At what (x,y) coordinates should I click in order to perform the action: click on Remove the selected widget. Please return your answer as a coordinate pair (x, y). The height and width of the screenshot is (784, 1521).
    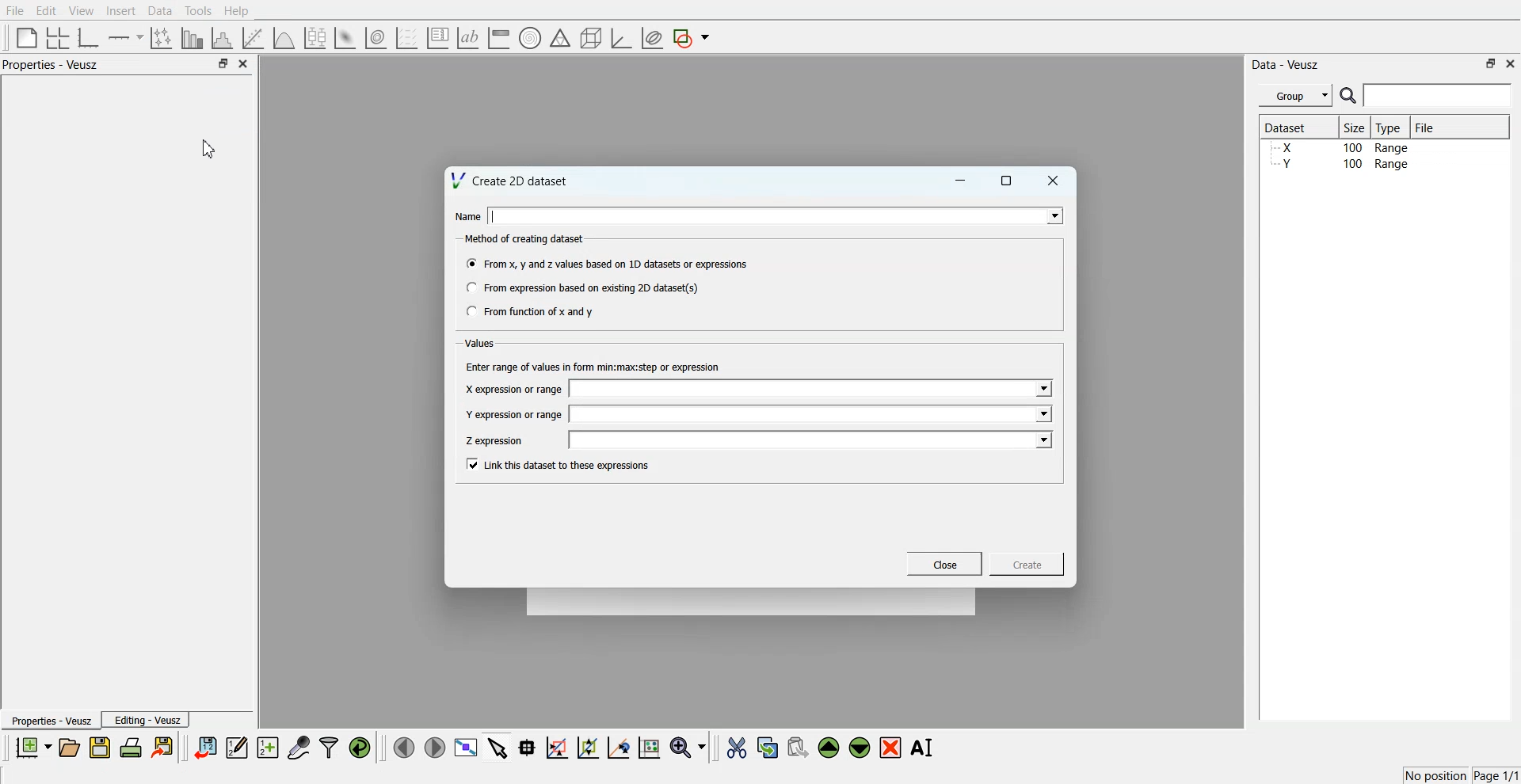
    Looking at the image, I should click on (890, 748).